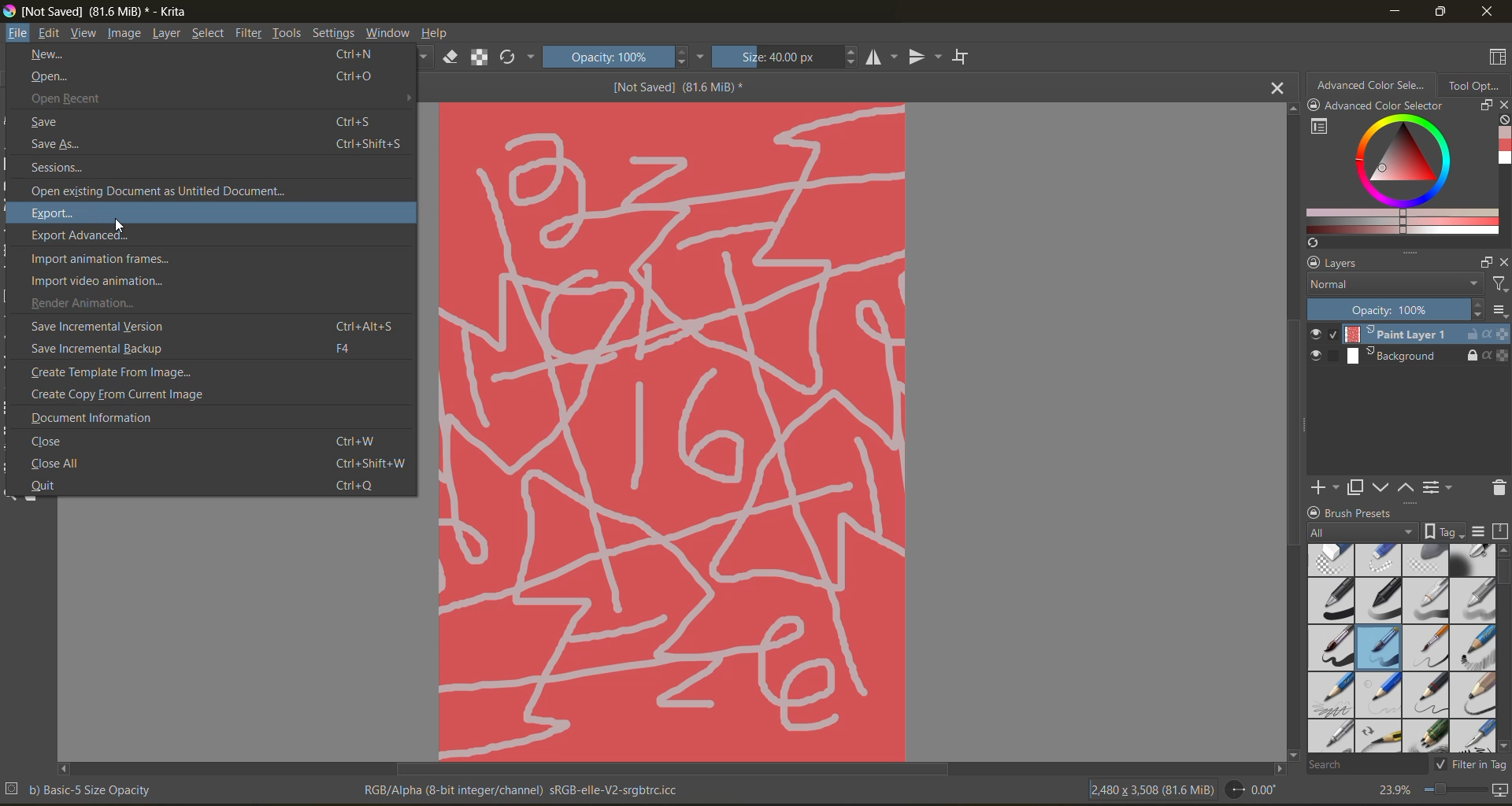  I want to click on save, so click(207, 121).